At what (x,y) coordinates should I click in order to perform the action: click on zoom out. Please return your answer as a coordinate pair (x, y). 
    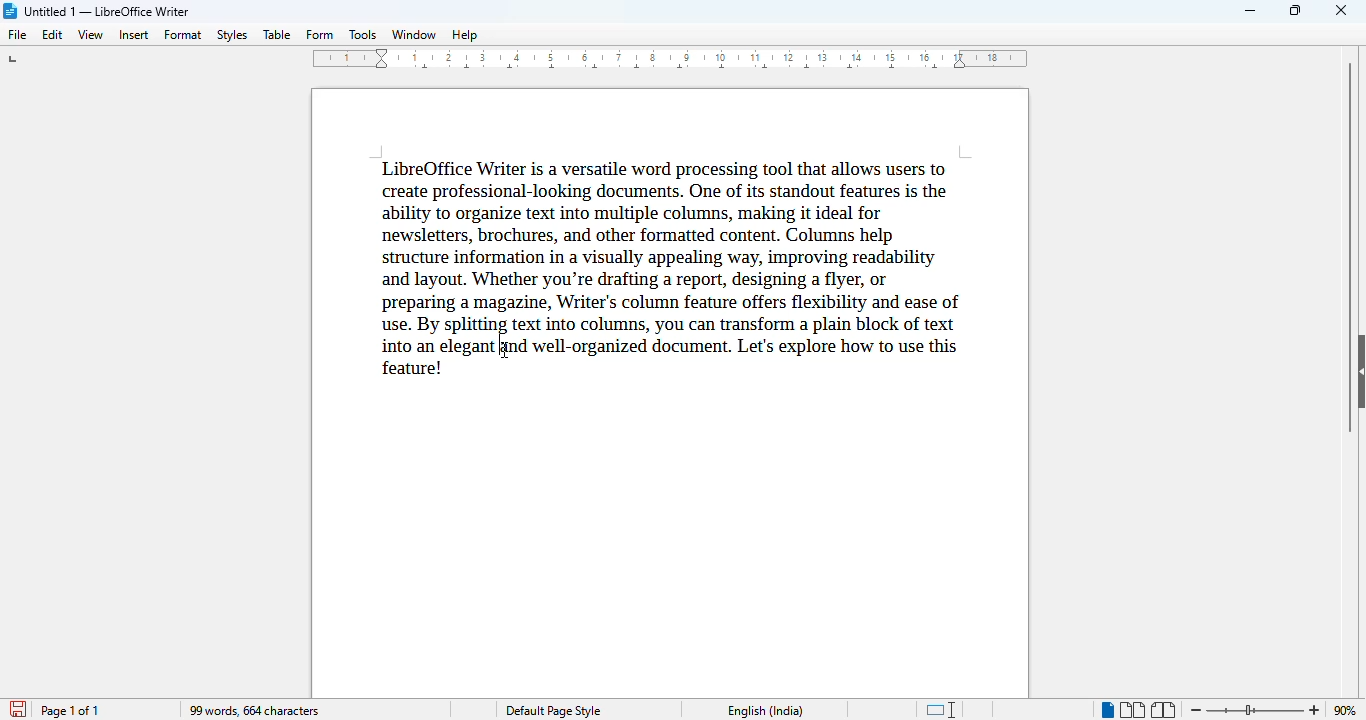
    Looking at the image, I should click on (1197, 709).